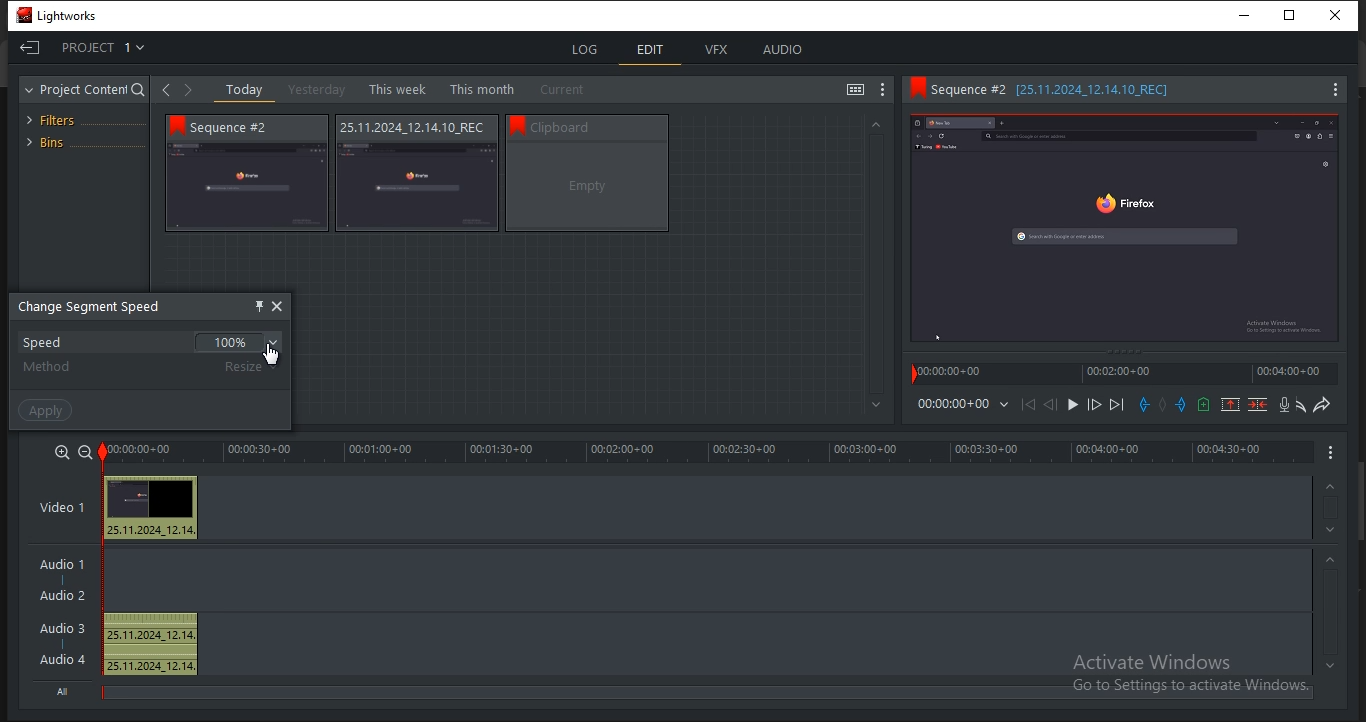 This screenshot has width=1366, height=722. Describe the element at coordinates (875, 406) in the screenshot. I see `Greyed out down arrow` at that location.